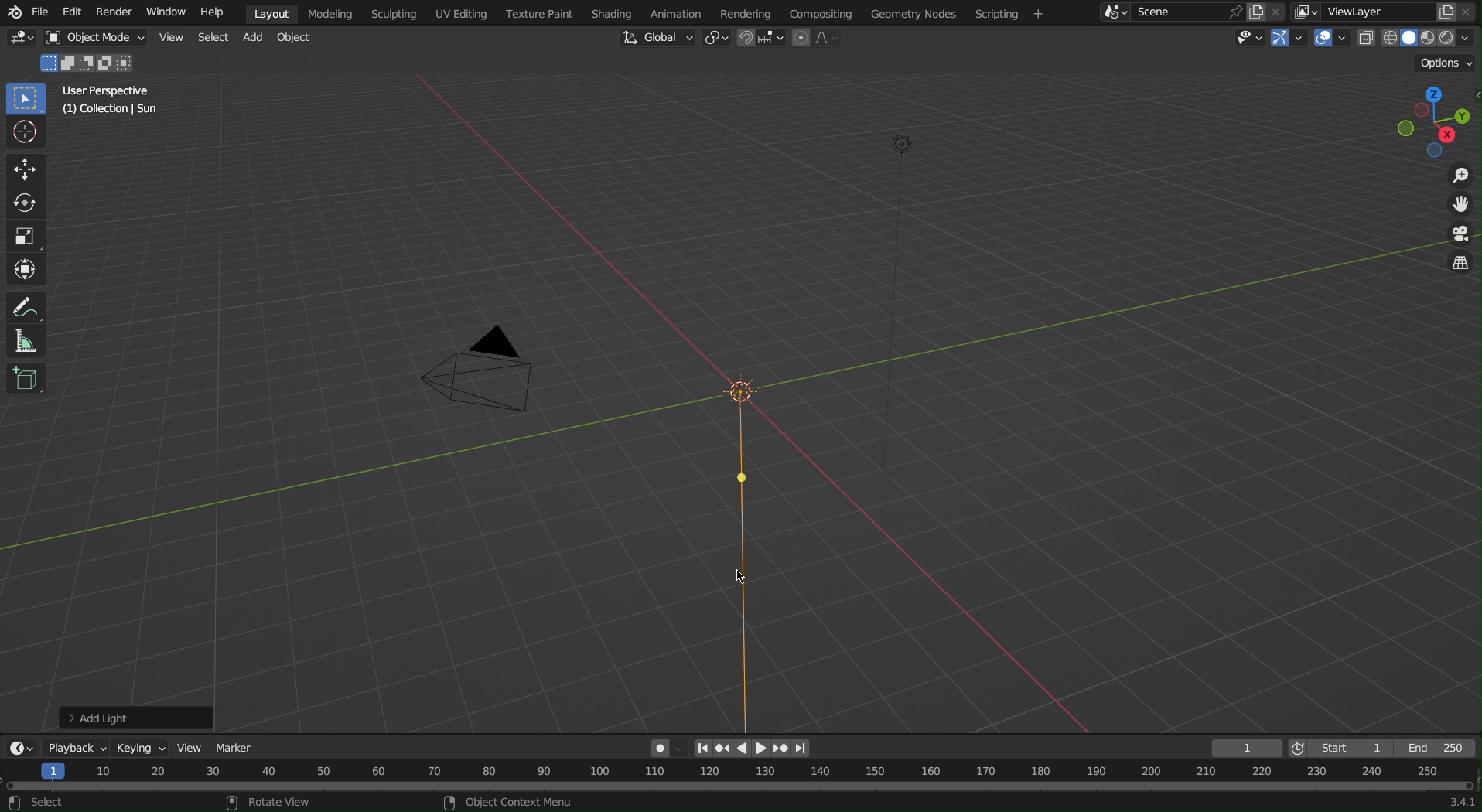 This screenshot has height=812, width=1482. What do you see at coordinates (26, 377) in the screenshot?
I see `New Cube` at bounding box center [26, 377].